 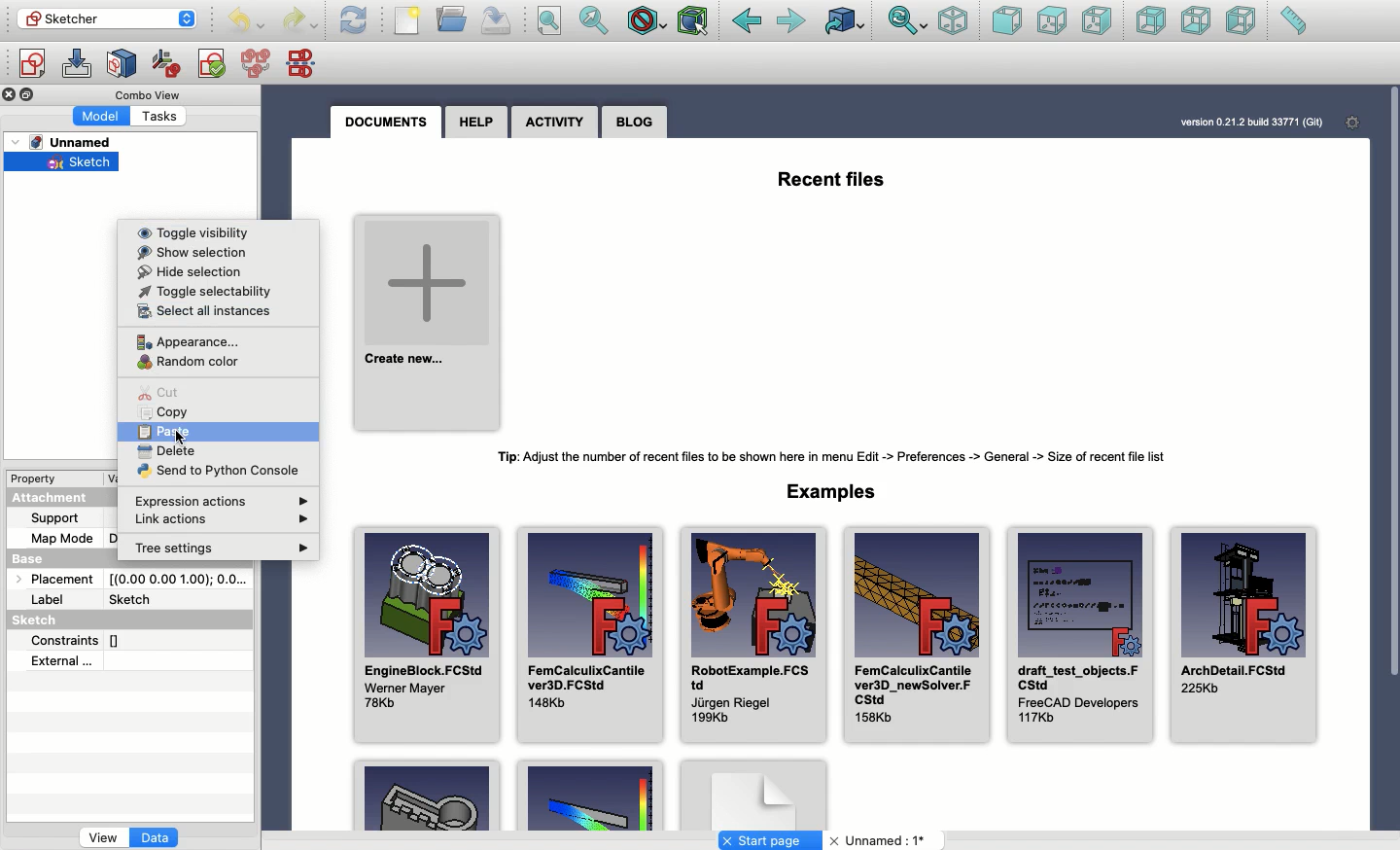 I want to click on Placement, so click(x=51, y=578).